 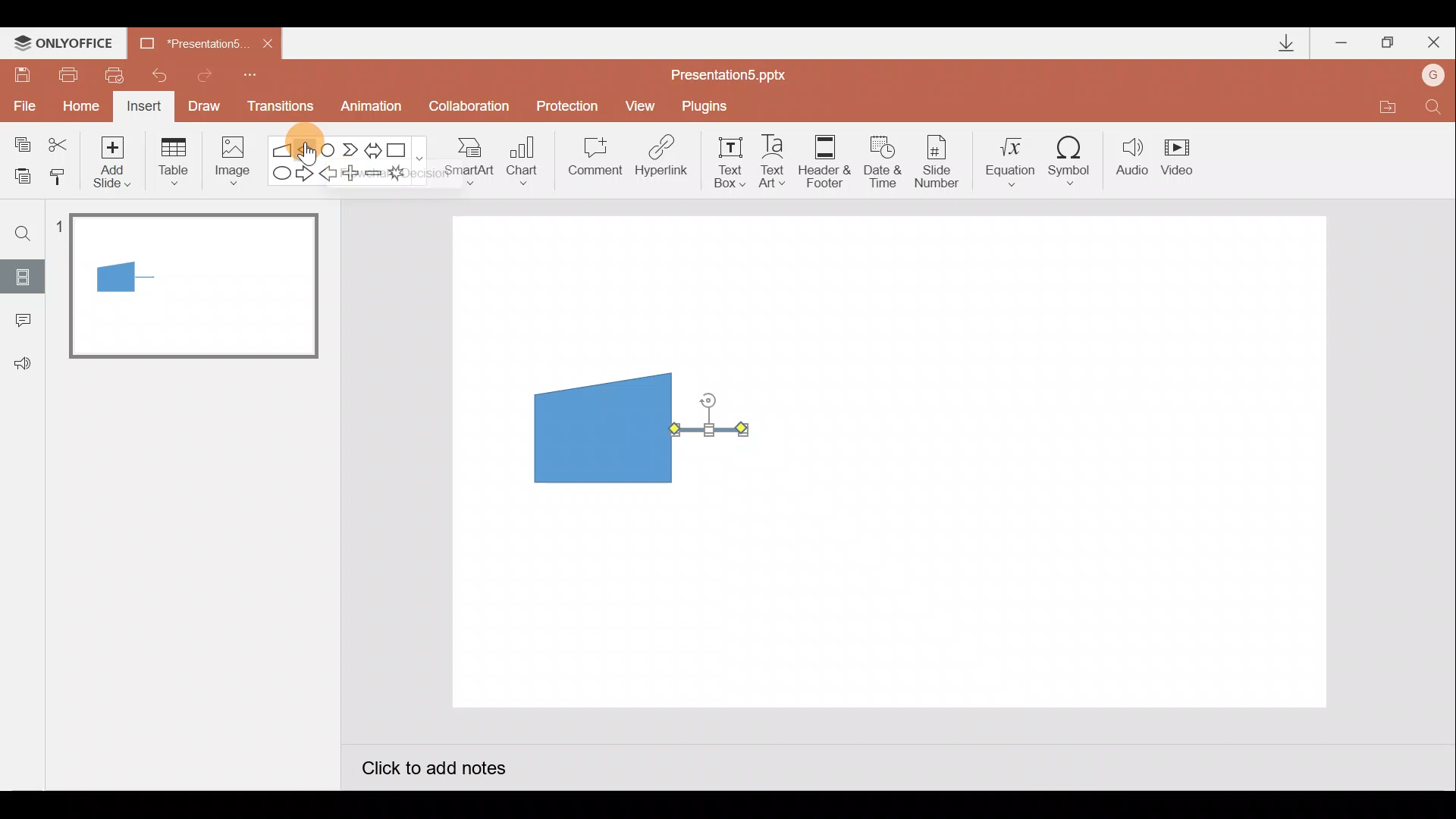 I want to click on Slide number, so click(x=941, y=162).